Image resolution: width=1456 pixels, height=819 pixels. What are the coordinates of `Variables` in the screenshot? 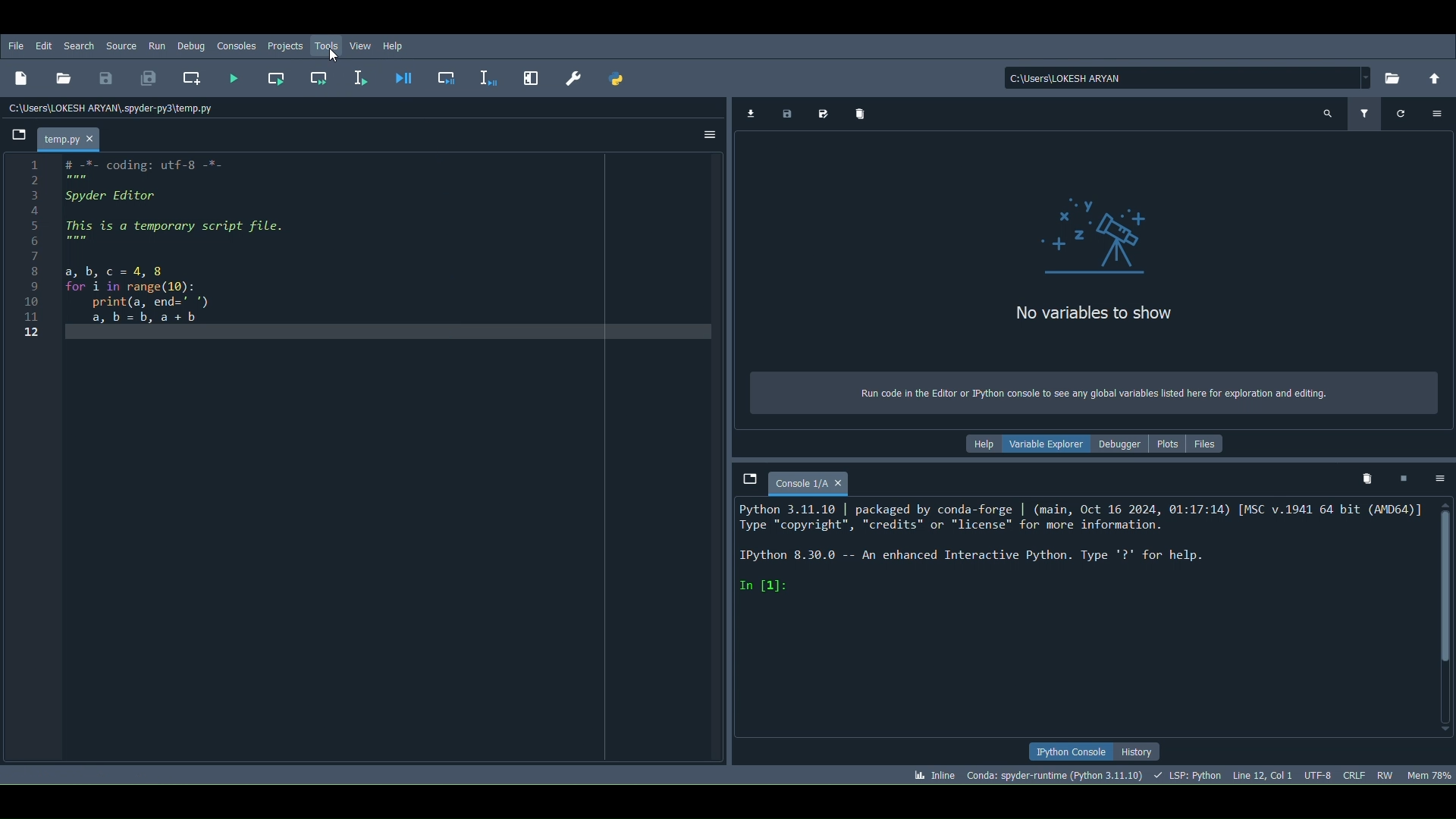 It's located at (1089, 260).